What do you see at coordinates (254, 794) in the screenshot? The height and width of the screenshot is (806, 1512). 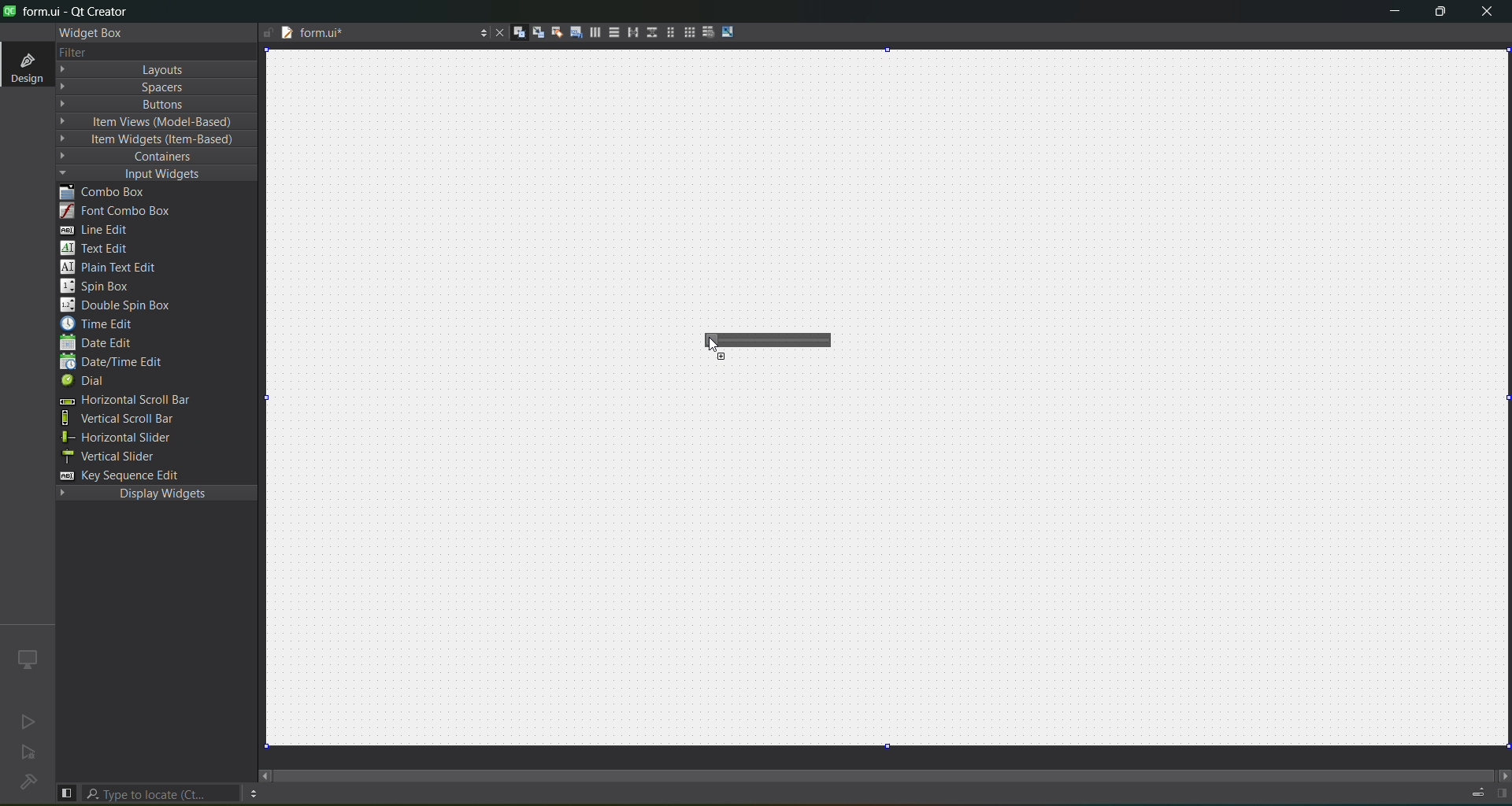 I see `option` at bounding box center [254, 794].